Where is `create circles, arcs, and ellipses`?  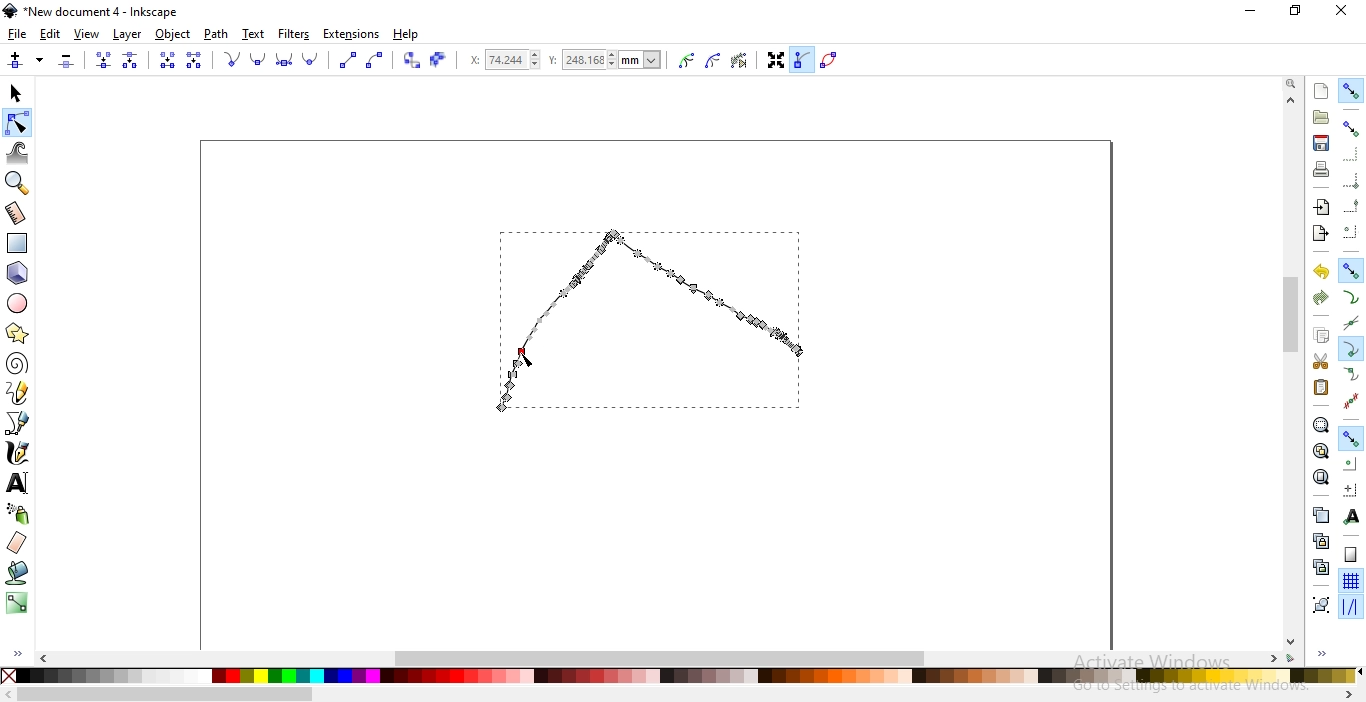
create circles, arcs, and ellipses is located at coordinates (18, 303).